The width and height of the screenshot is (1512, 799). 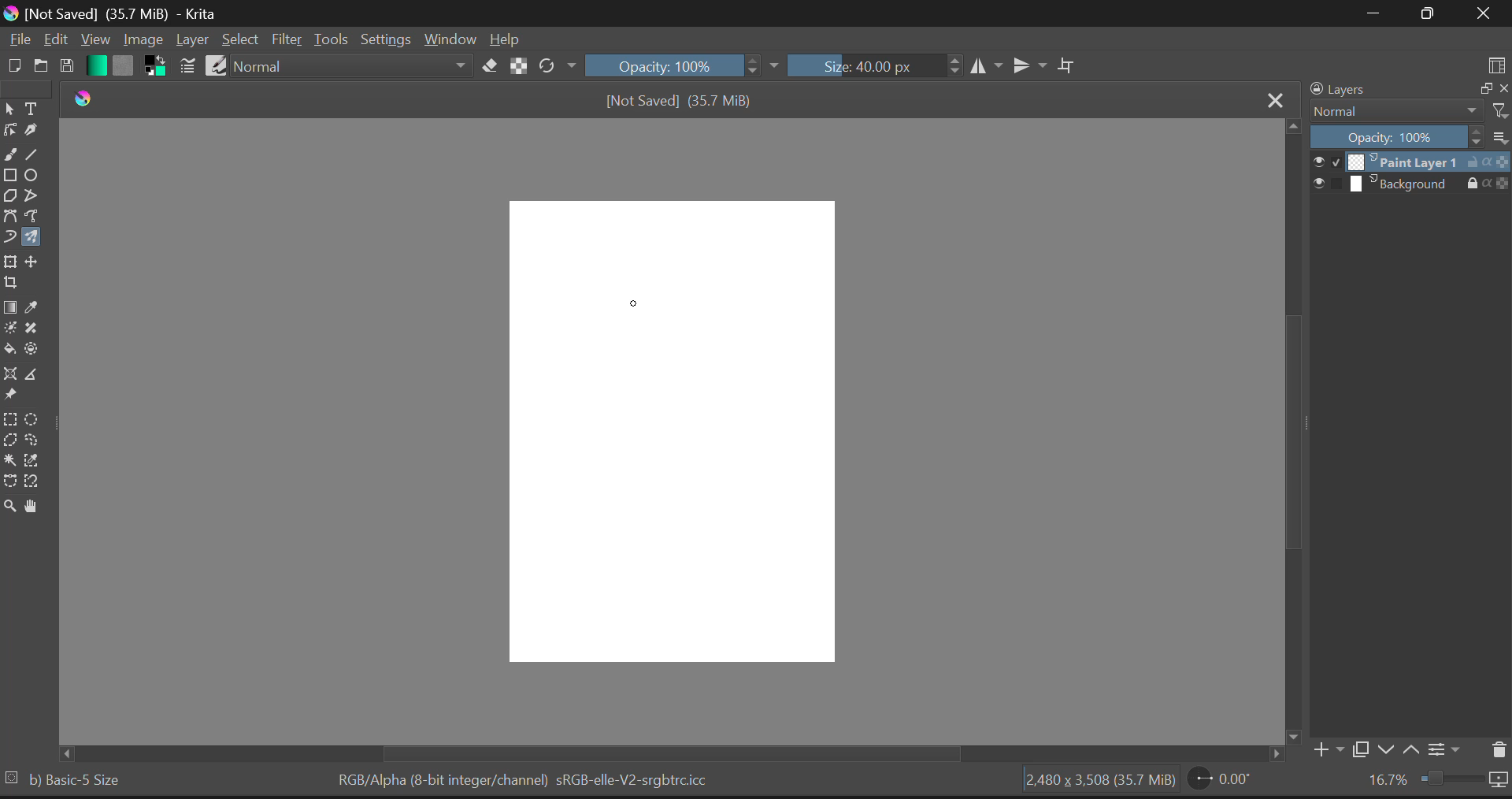 I want to click on Window, so click(x=449, y=40).